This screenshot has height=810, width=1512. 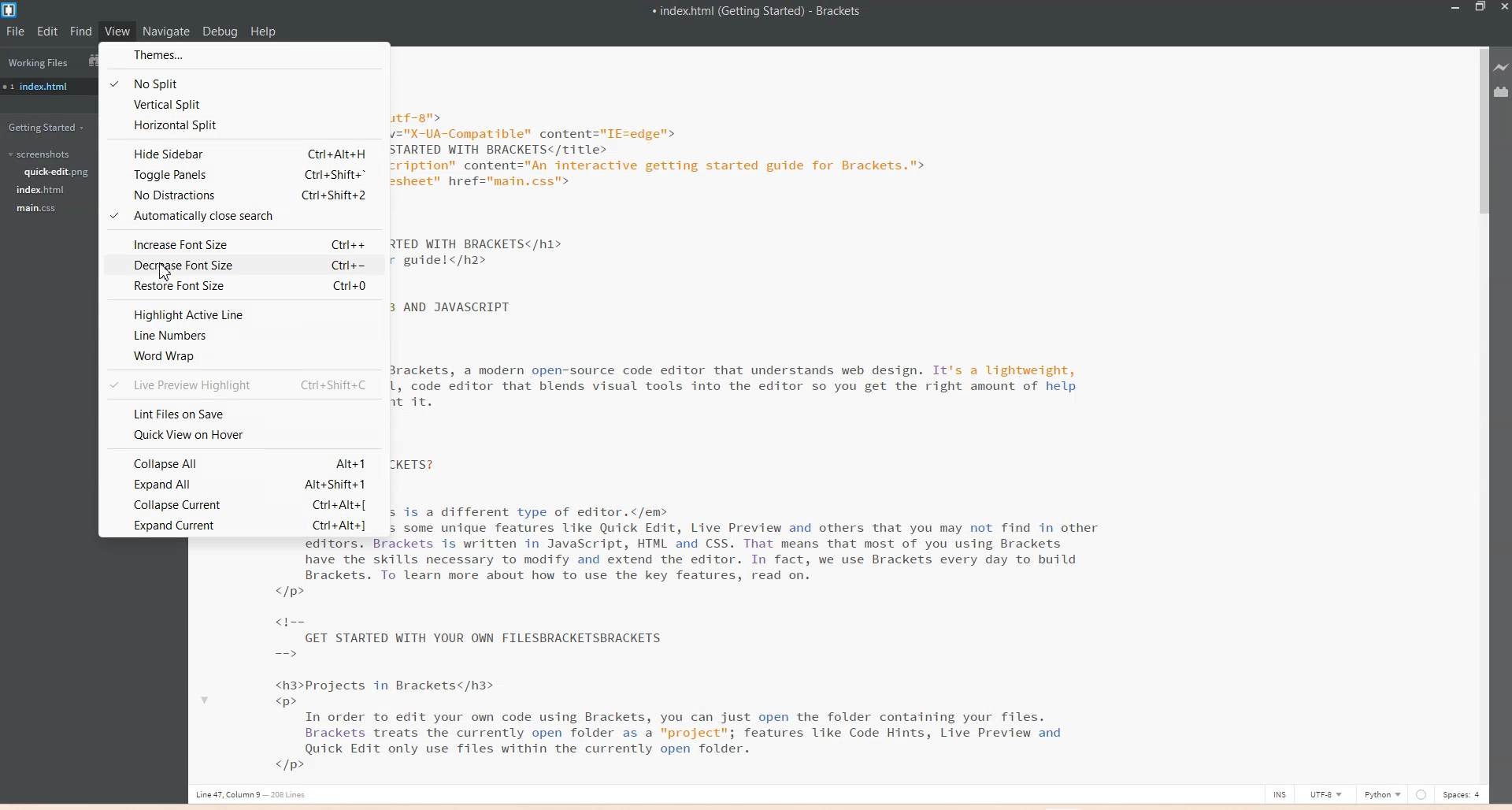 I want to click on Vertical scroll bar, so click(x=1480, y=414).